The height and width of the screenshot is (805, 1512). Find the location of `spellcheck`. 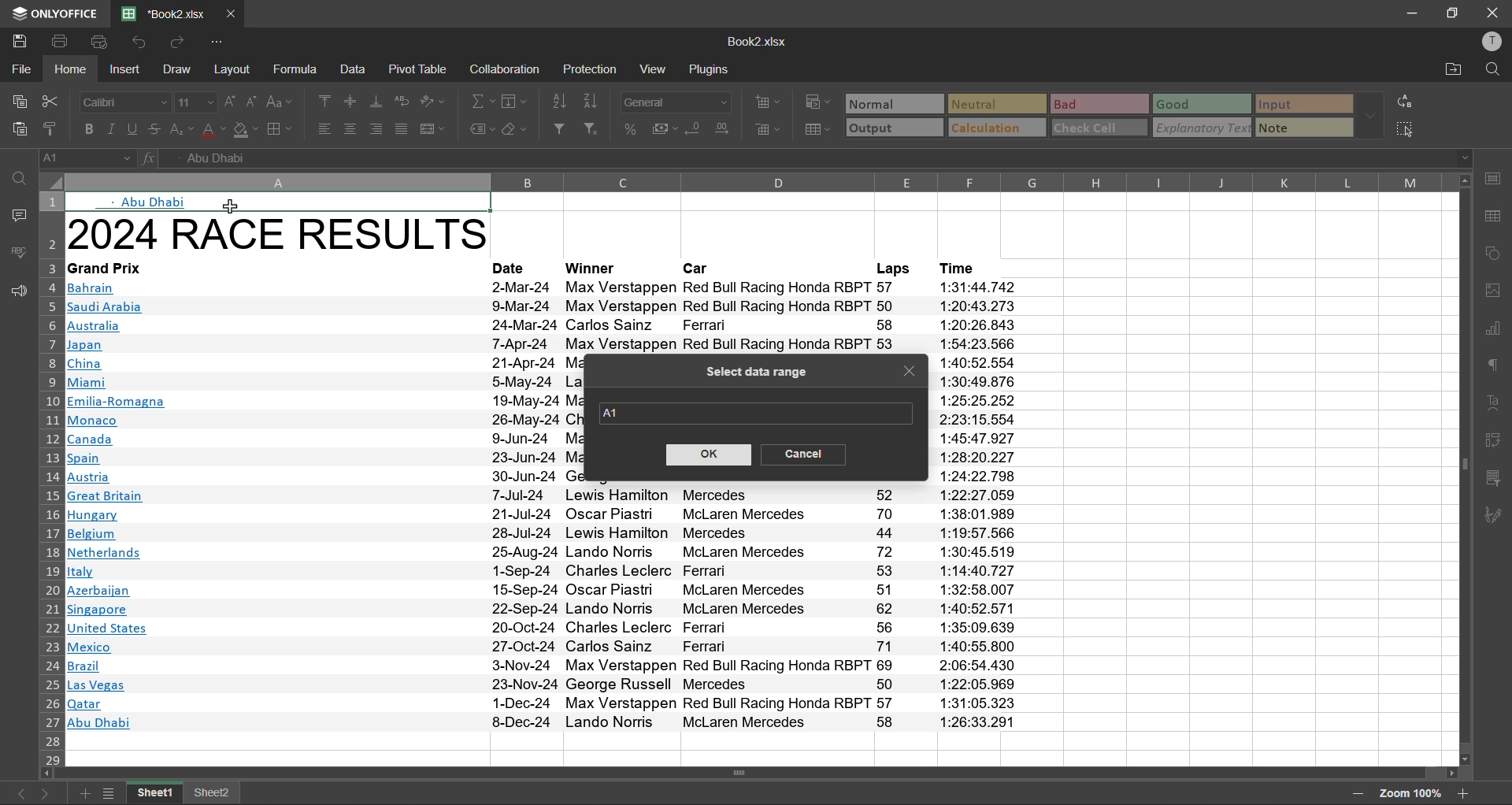

spellcheck is located at coordinates (24, 254).